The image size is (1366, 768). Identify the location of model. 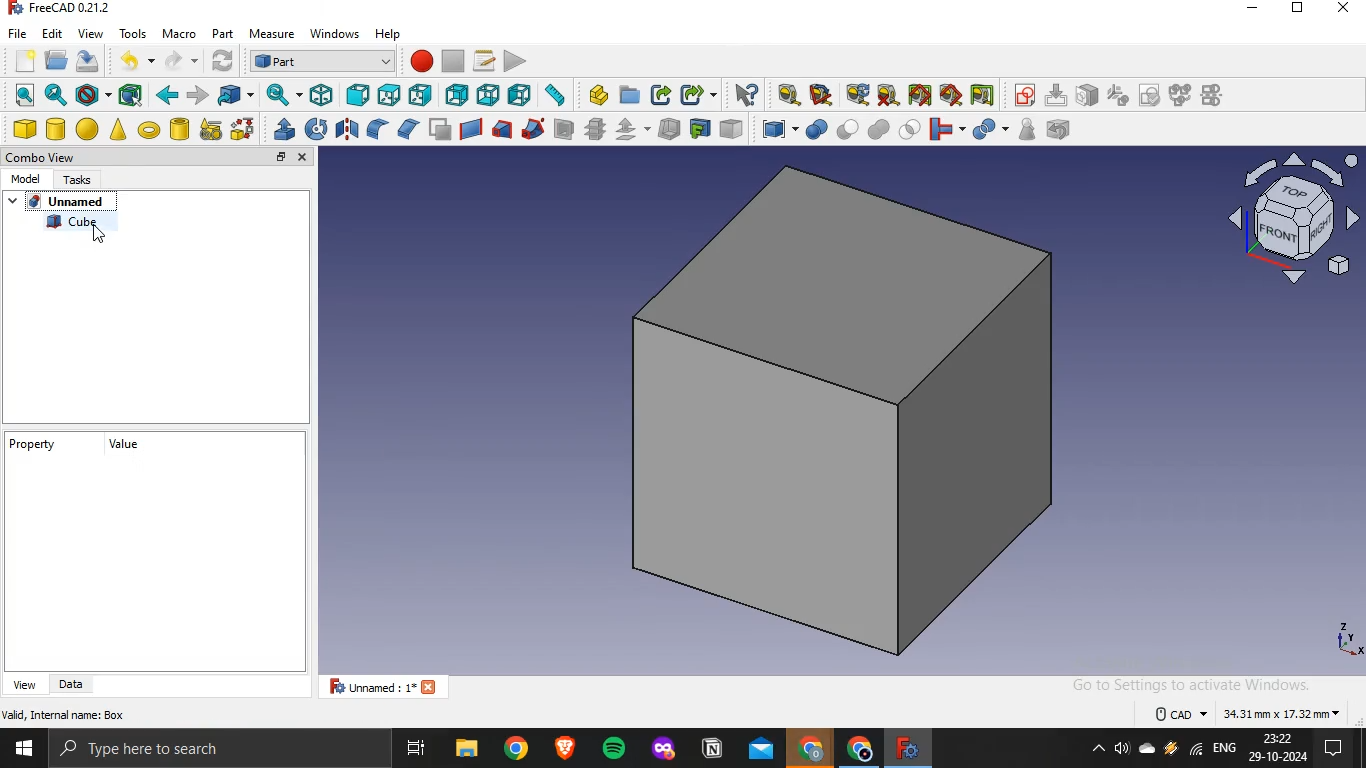
(25, 177).